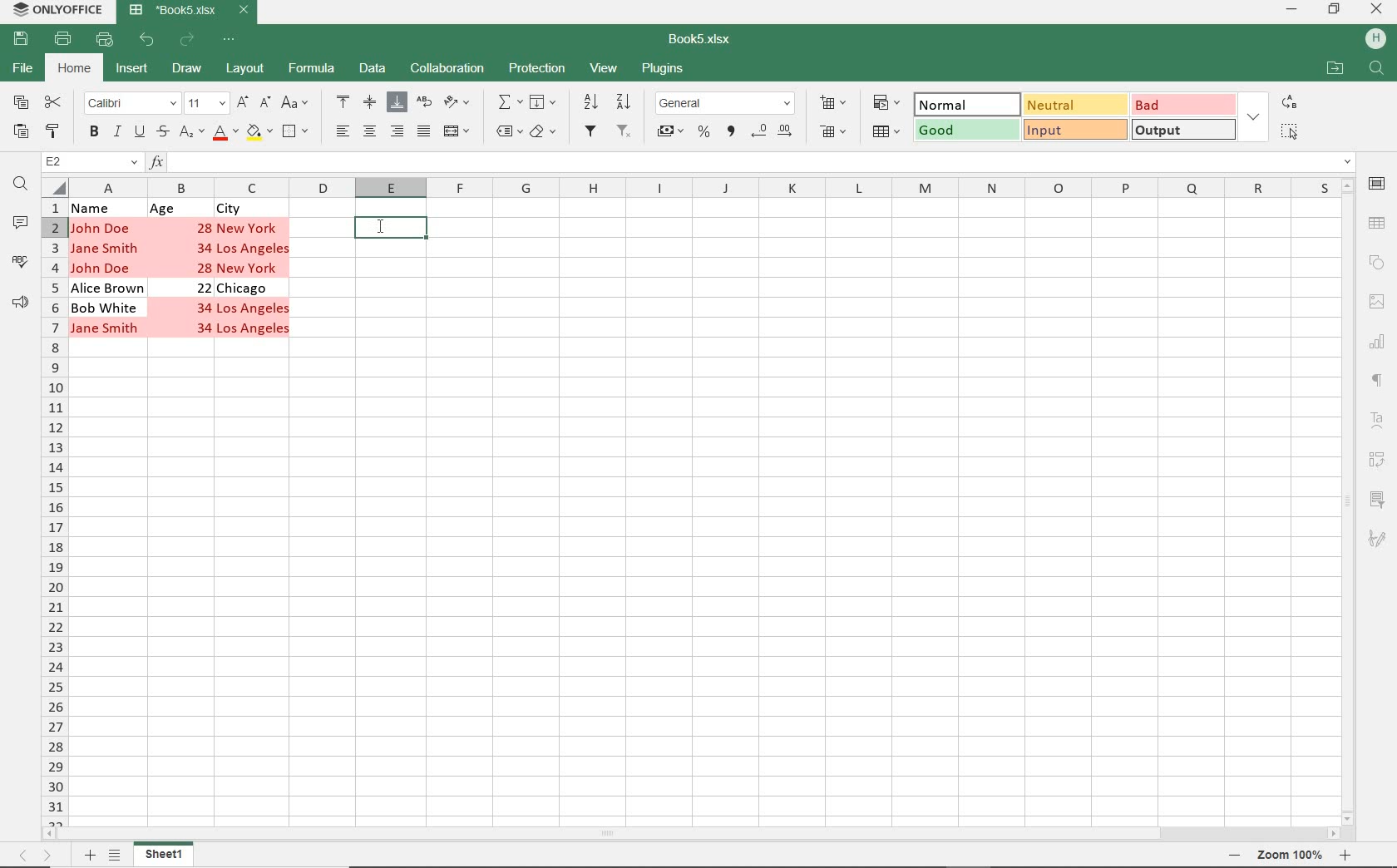  What do you see at coordinates (1291, 8) in the screenshot?
I see `MINIMIZE` at bounding box center [1291, 8].